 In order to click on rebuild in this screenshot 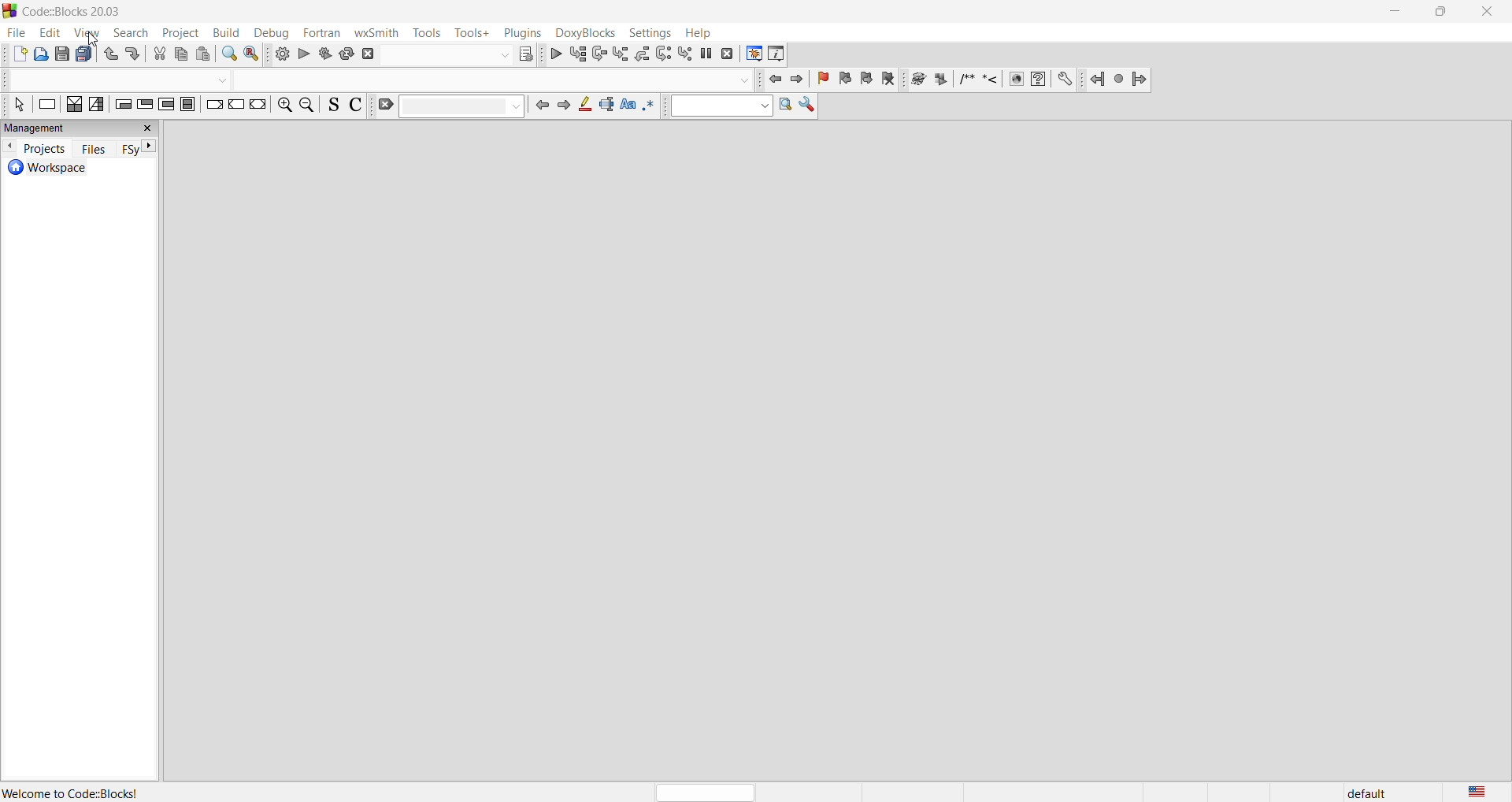, I will do `click(344, 56)`.